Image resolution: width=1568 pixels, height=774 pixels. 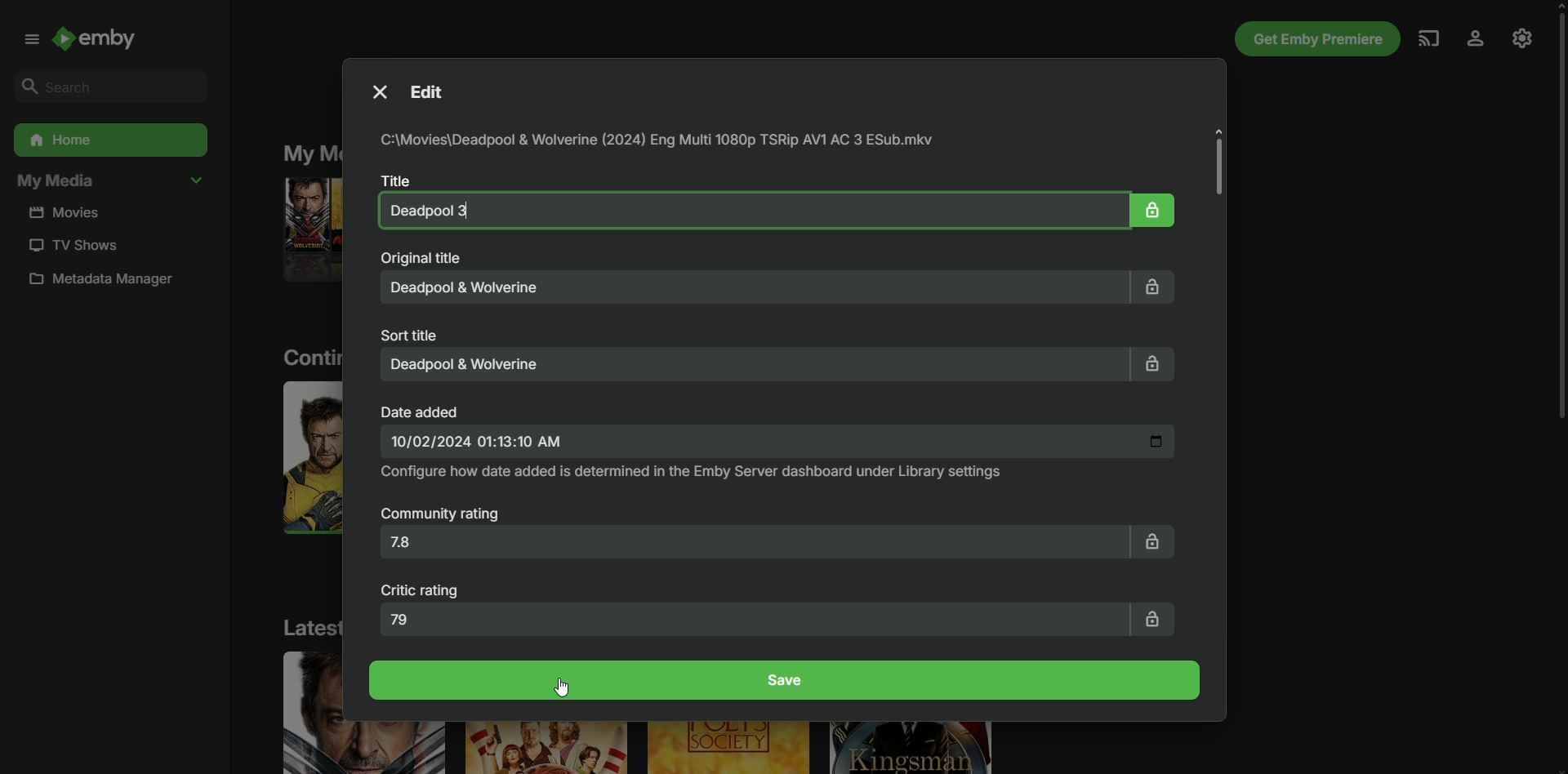 I want to click on Cast, so click(x=1427, y=38).